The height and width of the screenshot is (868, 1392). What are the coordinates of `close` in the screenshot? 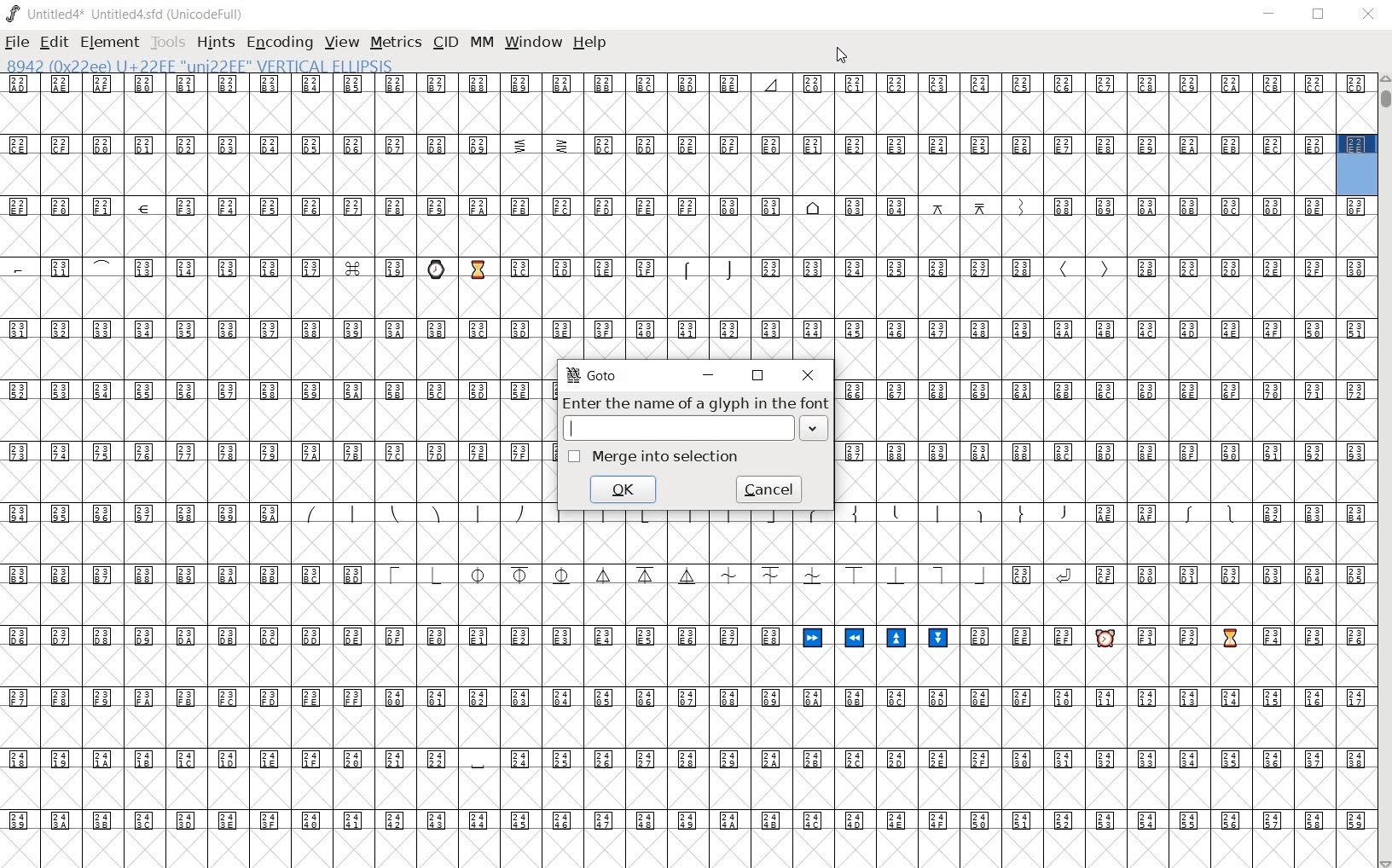 It's located at (806, 374).